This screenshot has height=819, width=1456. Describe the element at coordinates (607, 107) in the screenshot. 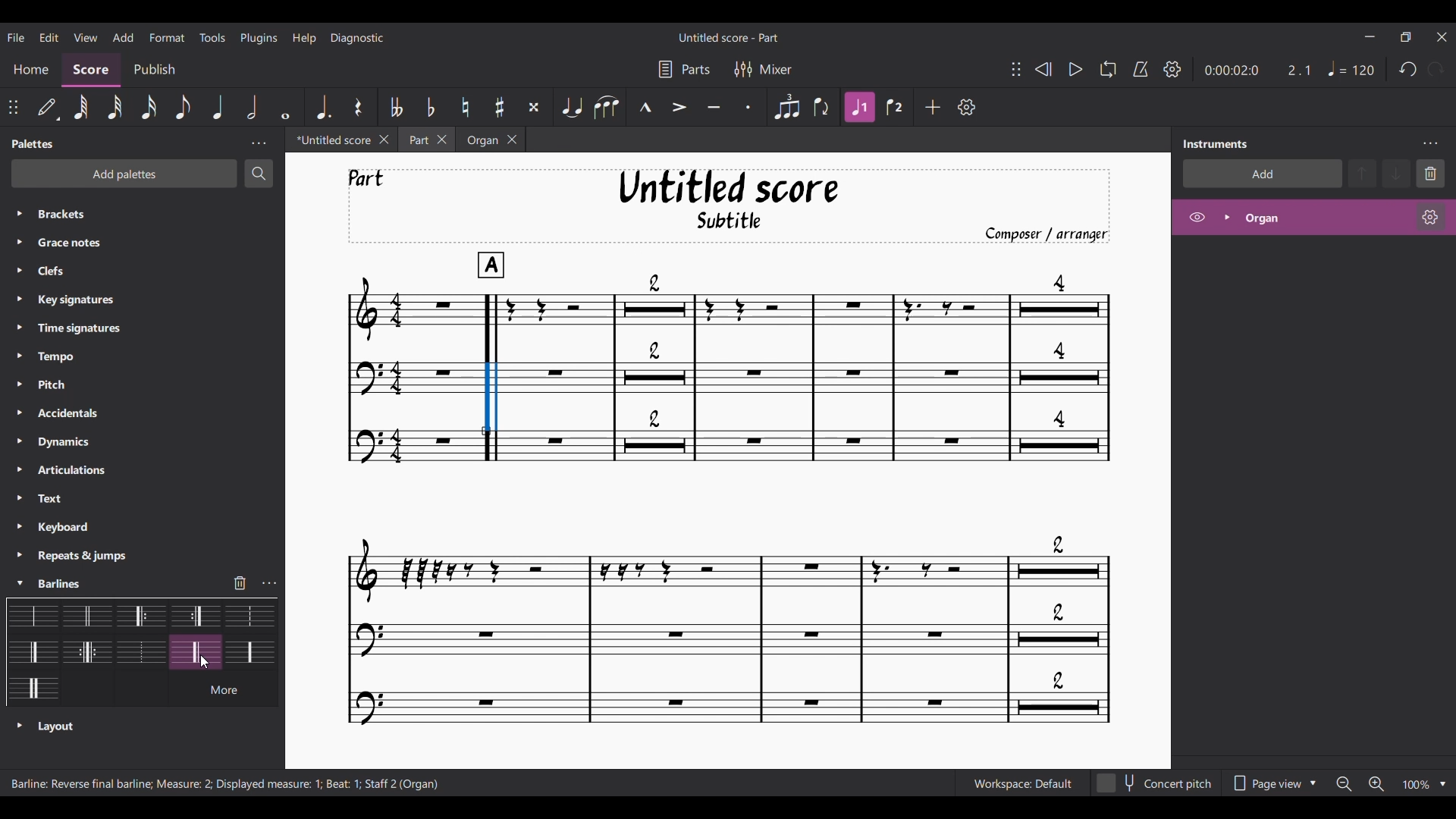

I see `Slur` at that location.